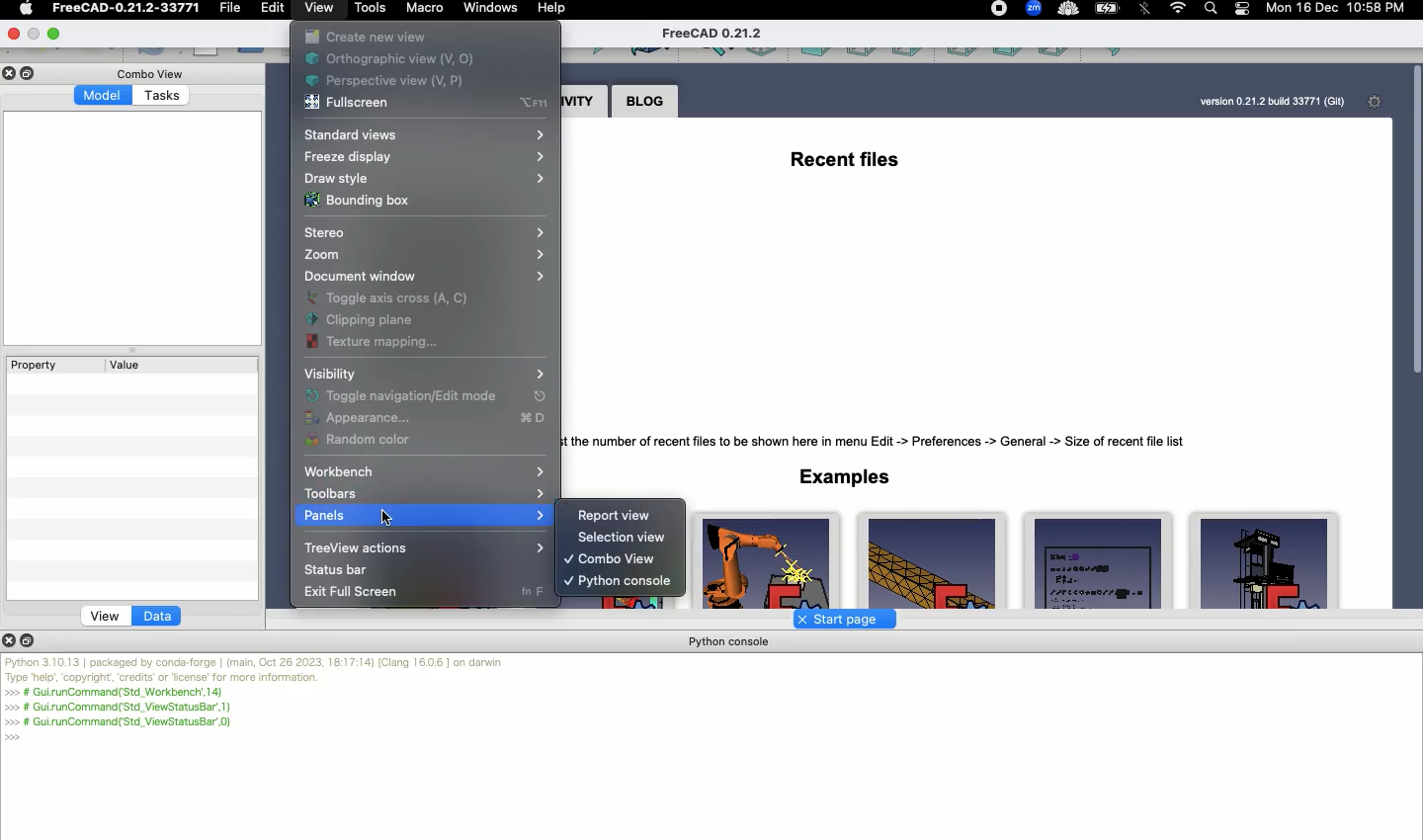 The height and width of the screenshot is (840, 1423). I want to click on Robot example.FCStd Jurgen Riegel 199Kb, so click(769, 560).